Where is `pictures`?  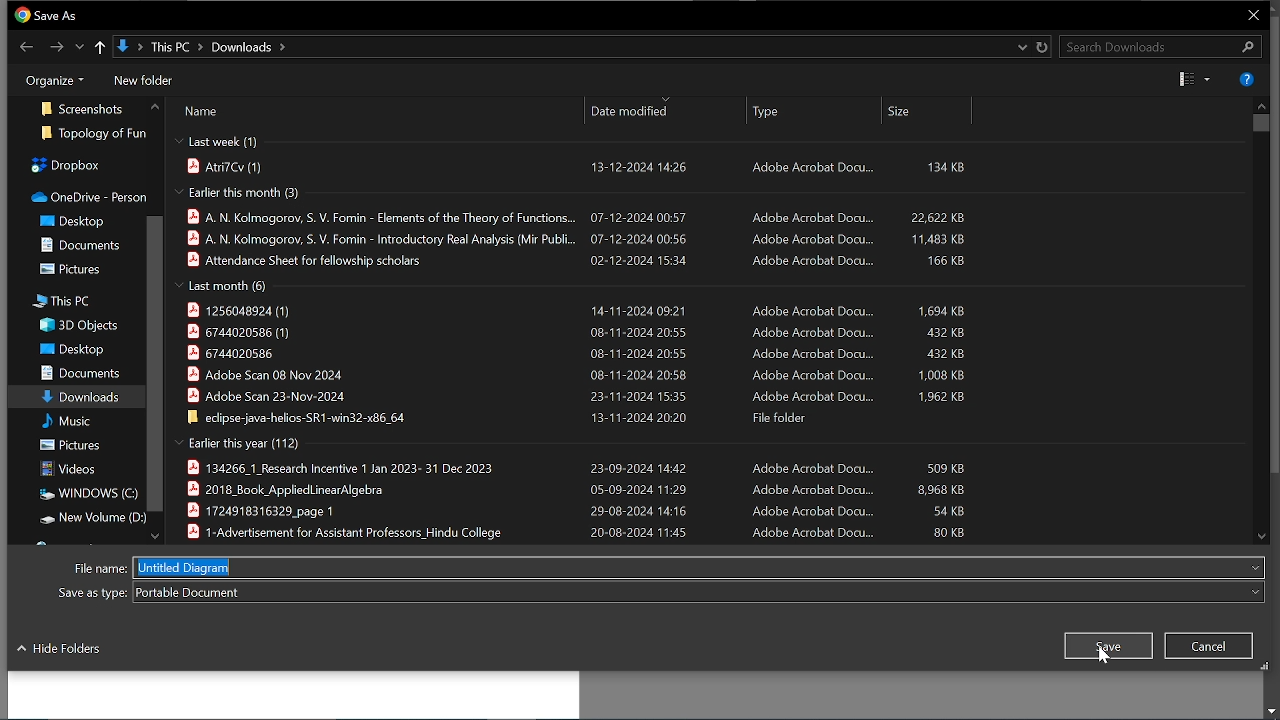 pictures is located at coordinates (70, 270).